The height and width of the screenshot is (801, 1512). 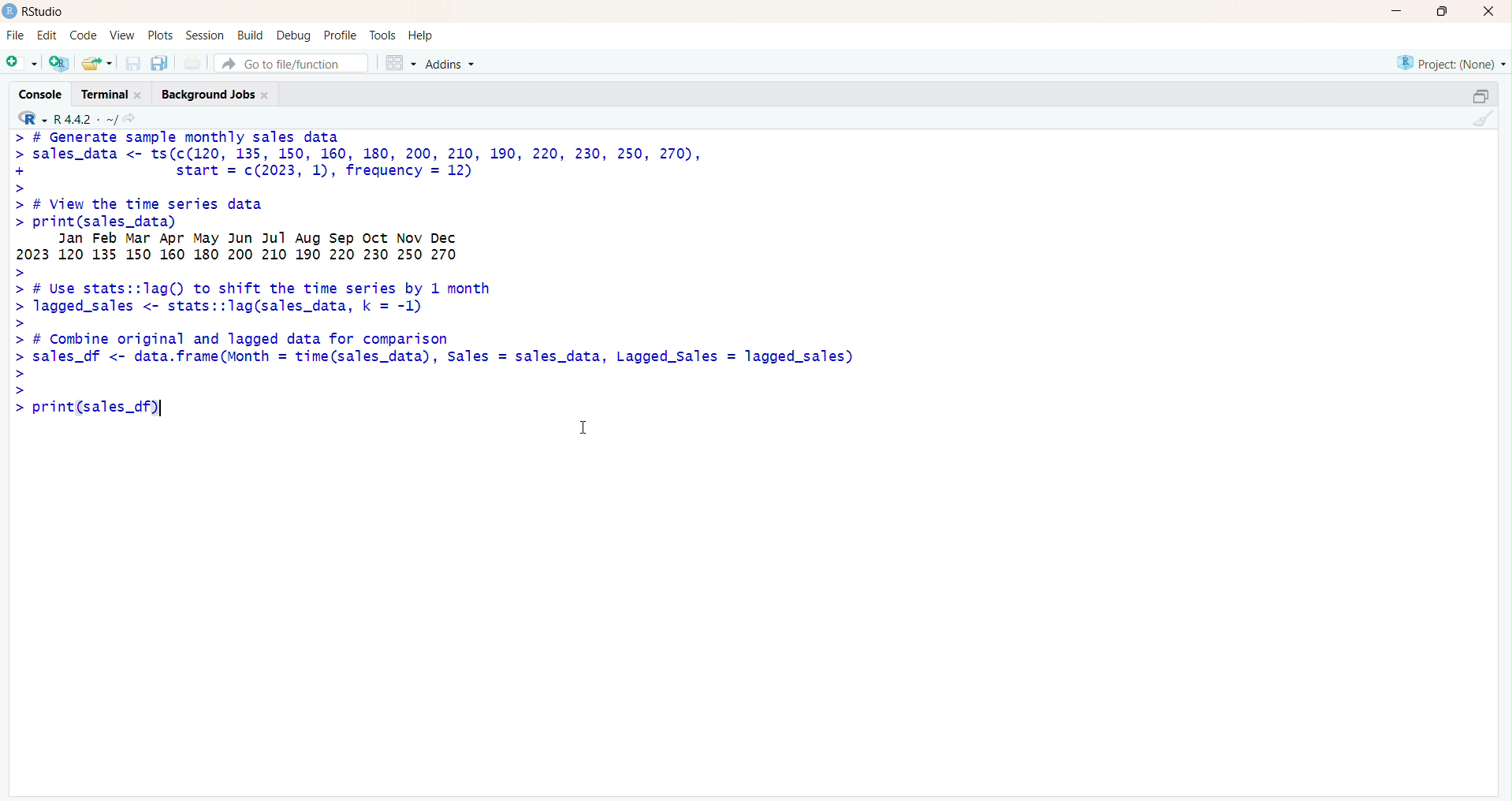 What do you see at coordinates (289, 248) in the screenshot?
I see `Jan Feb Mar Apr May Jun Jul Aug Sep Oct Nov Dec2023 120 135 150 160 180 200 210 190 220 230 250 270` at bounding box center [289, 248].